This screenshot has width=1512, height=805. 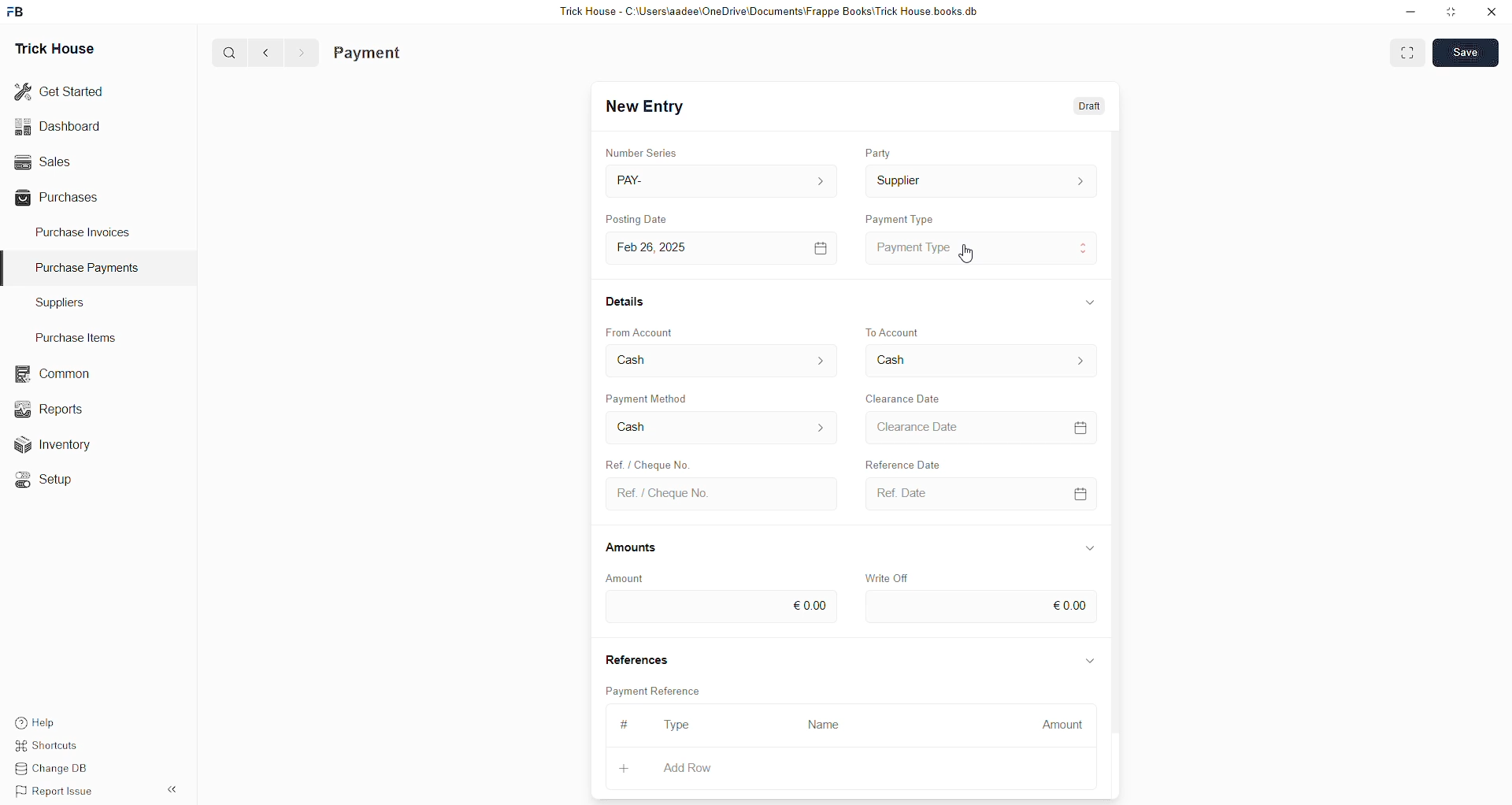 What do you see at coordinates (267, 52) in the screenshot?
I see `back` at bounding box center [267, 52].